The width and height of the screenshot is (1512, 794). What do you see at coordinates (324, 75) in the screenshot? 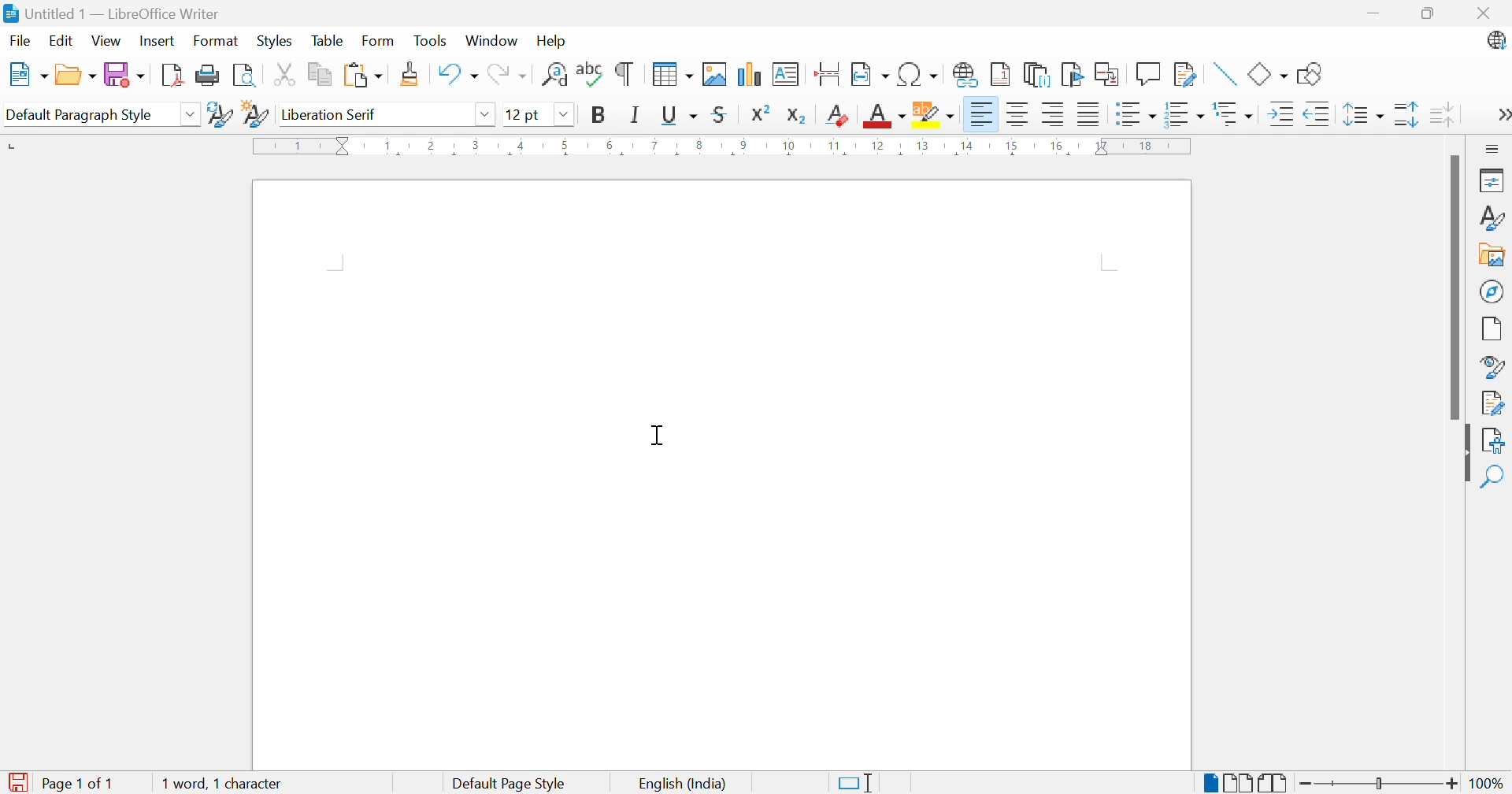
I see `Copy` at bounding box center [324, 75].